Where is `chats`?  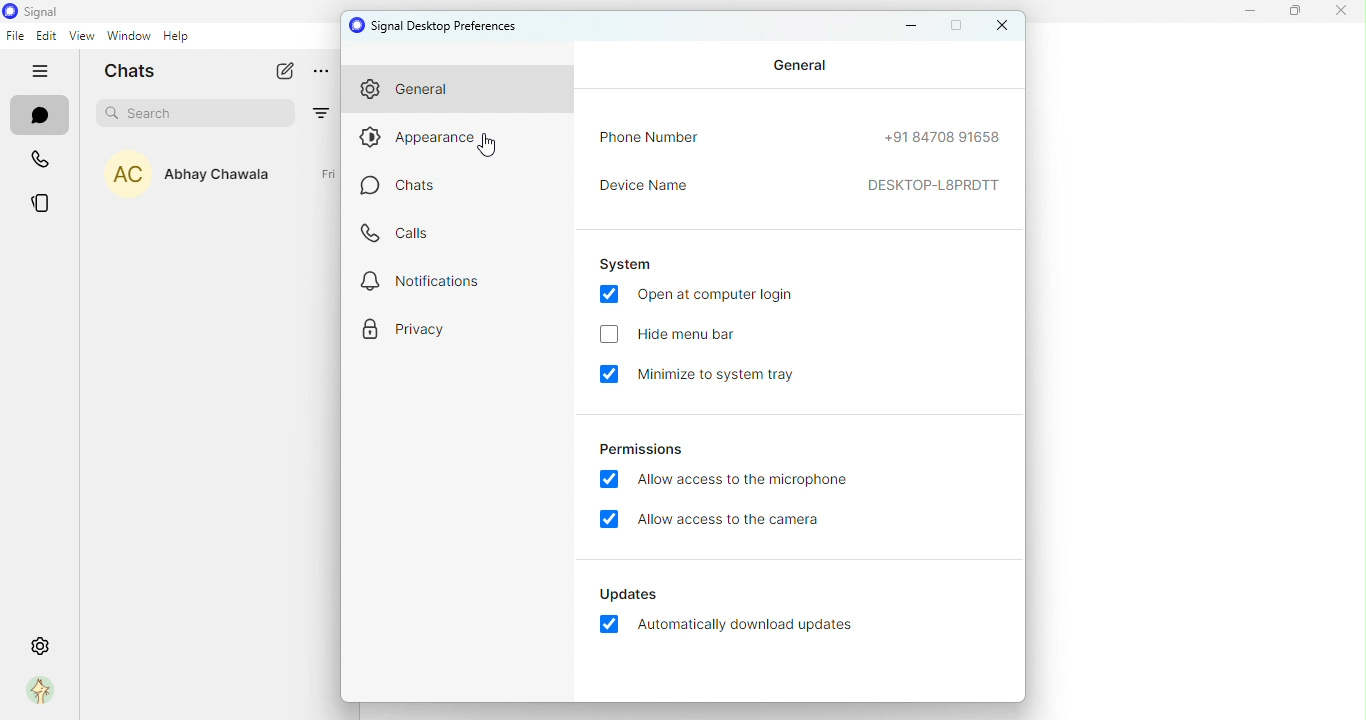
chats is located at coordinates (419, 188).